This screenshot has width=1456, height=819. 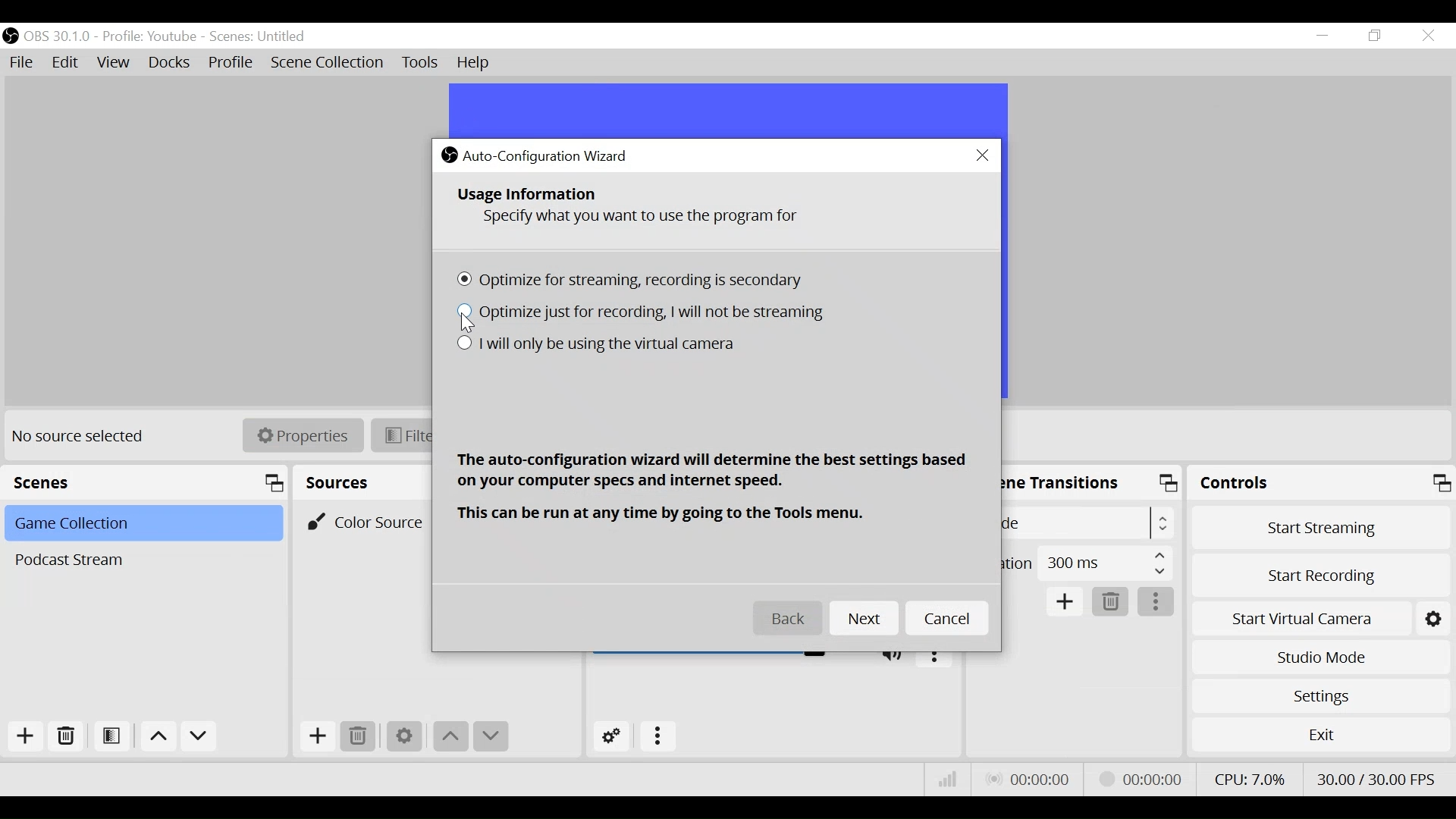 I want to click on Studio Mode, so click(x=1319, y=660).